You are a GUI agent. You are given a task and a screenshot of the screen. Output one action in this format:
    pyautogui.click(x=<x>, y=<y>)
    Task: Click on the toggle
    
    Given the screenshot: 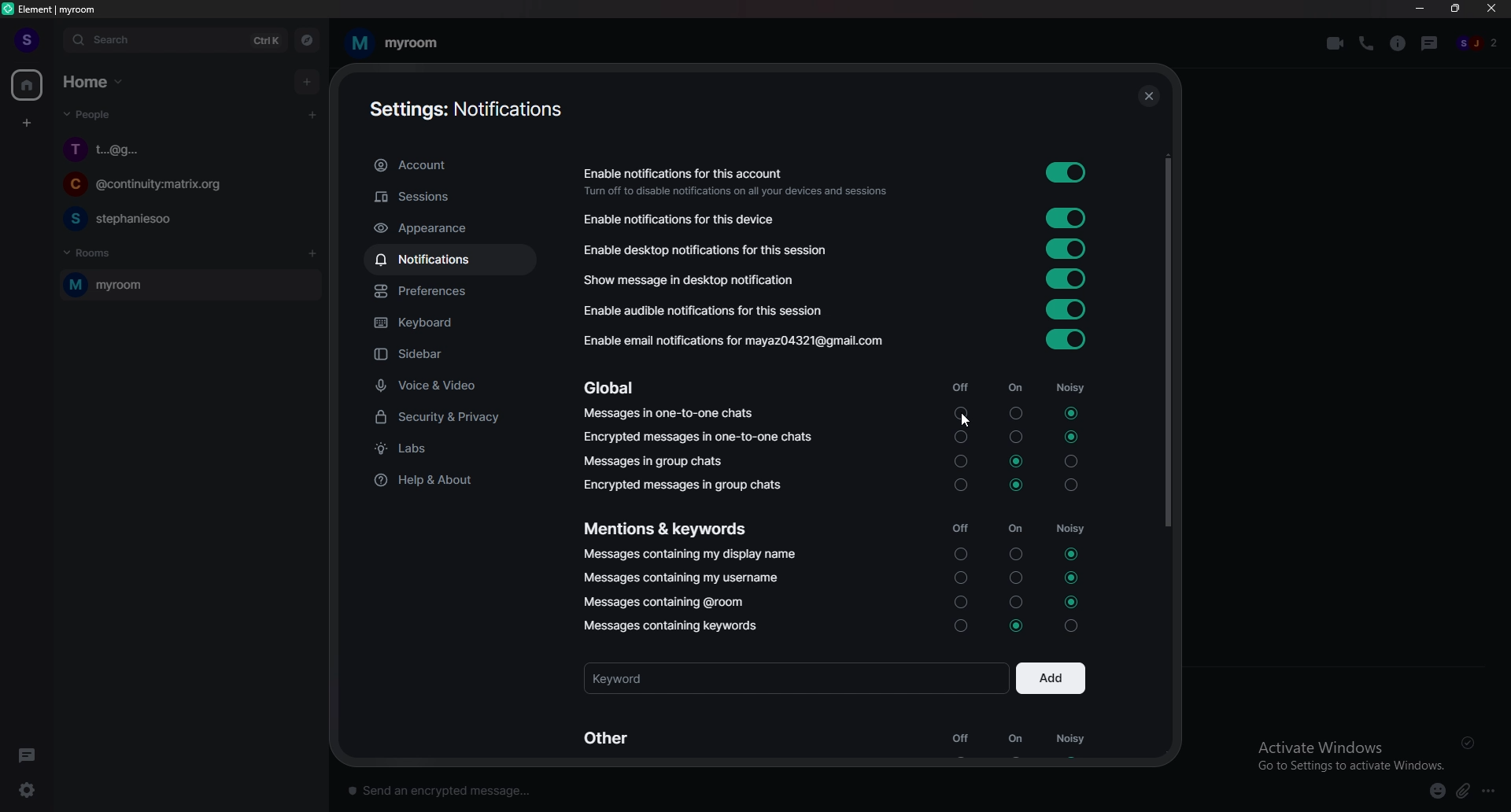 What is the action you would take?
    pyautogui.click(x=1067, y=219)
    